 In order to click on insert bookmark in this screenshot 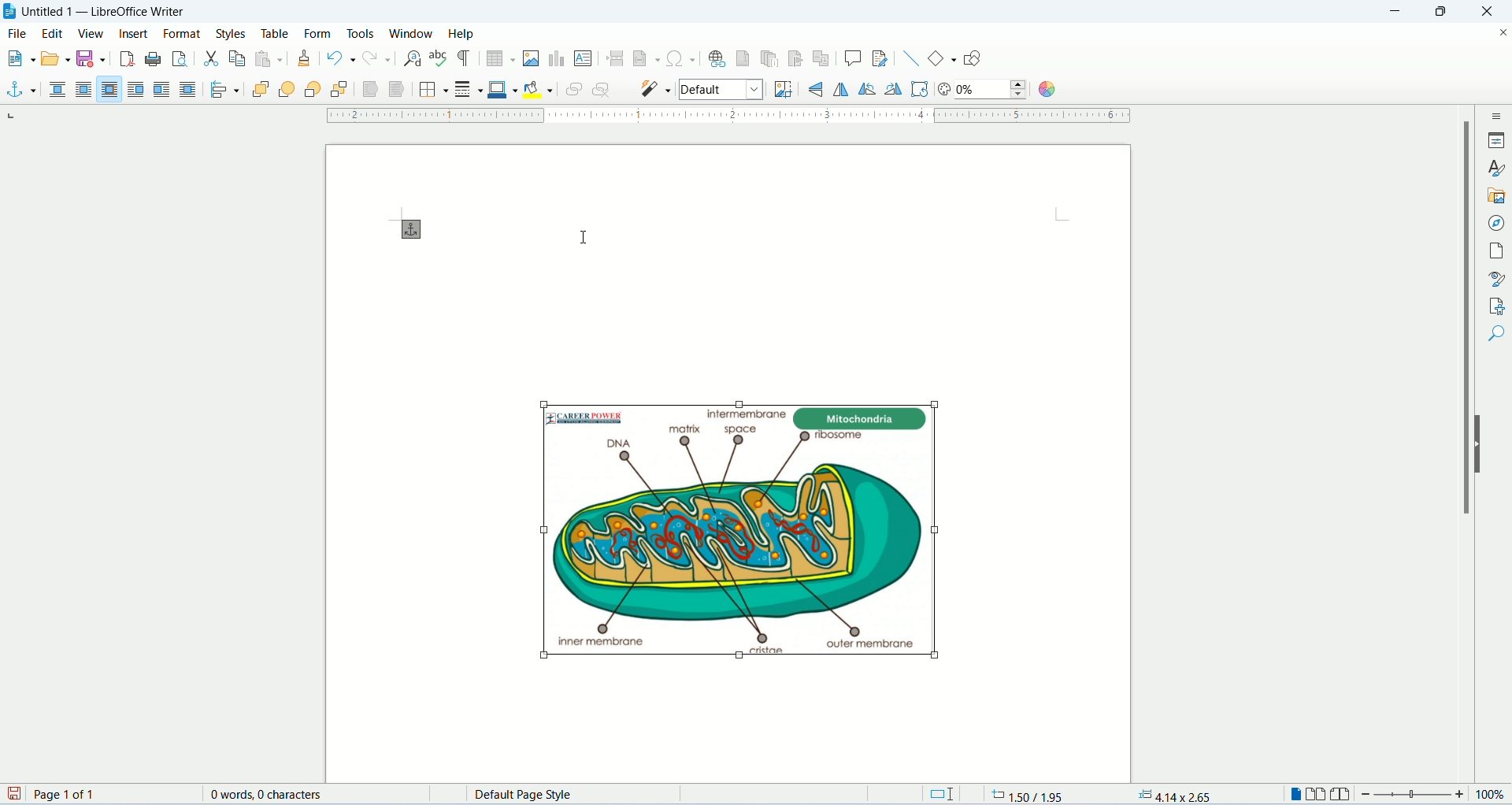, I will do `click(795, 58)`.